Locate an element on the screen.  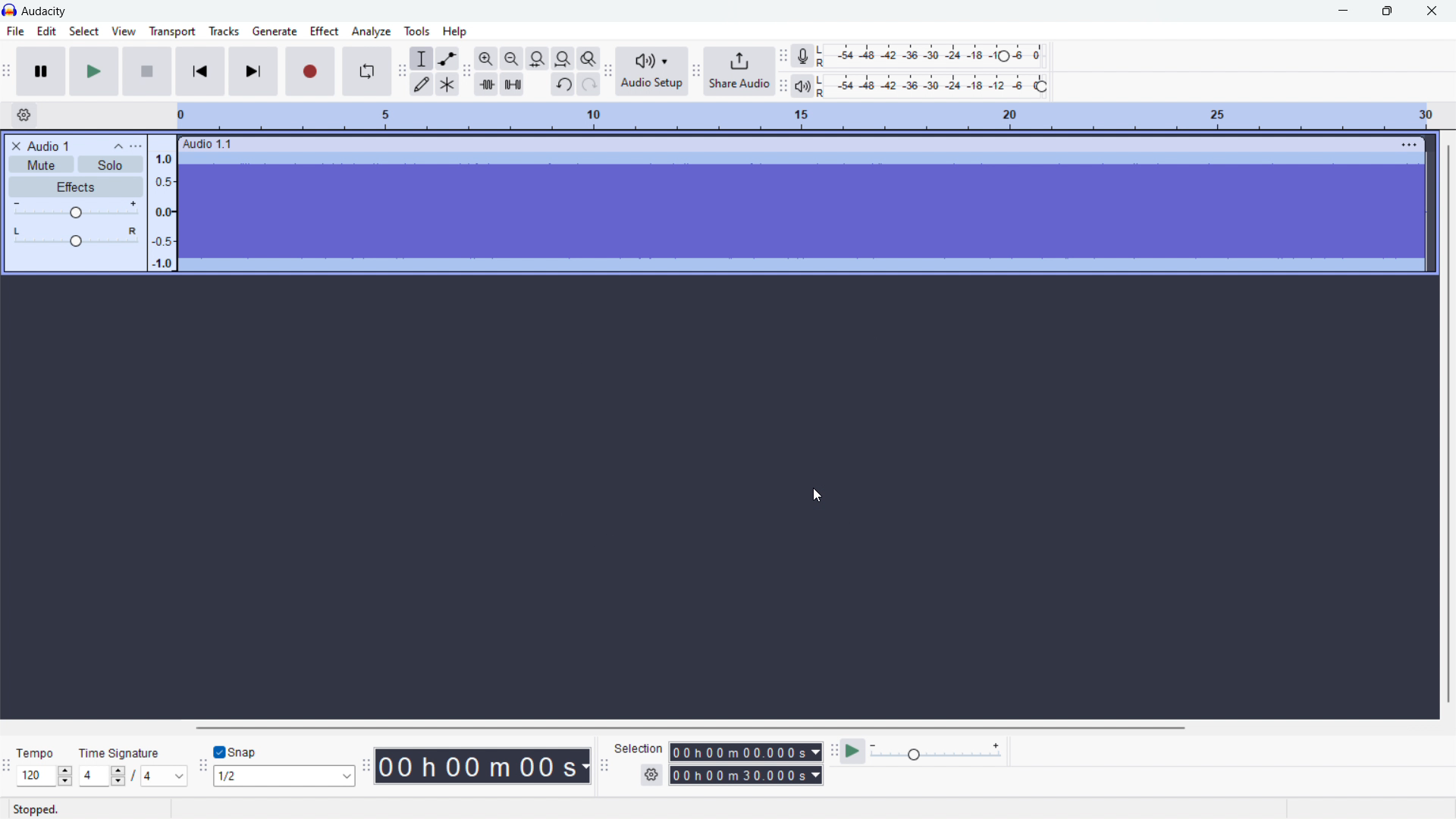
amplitude is located at coordinates (162, 204).